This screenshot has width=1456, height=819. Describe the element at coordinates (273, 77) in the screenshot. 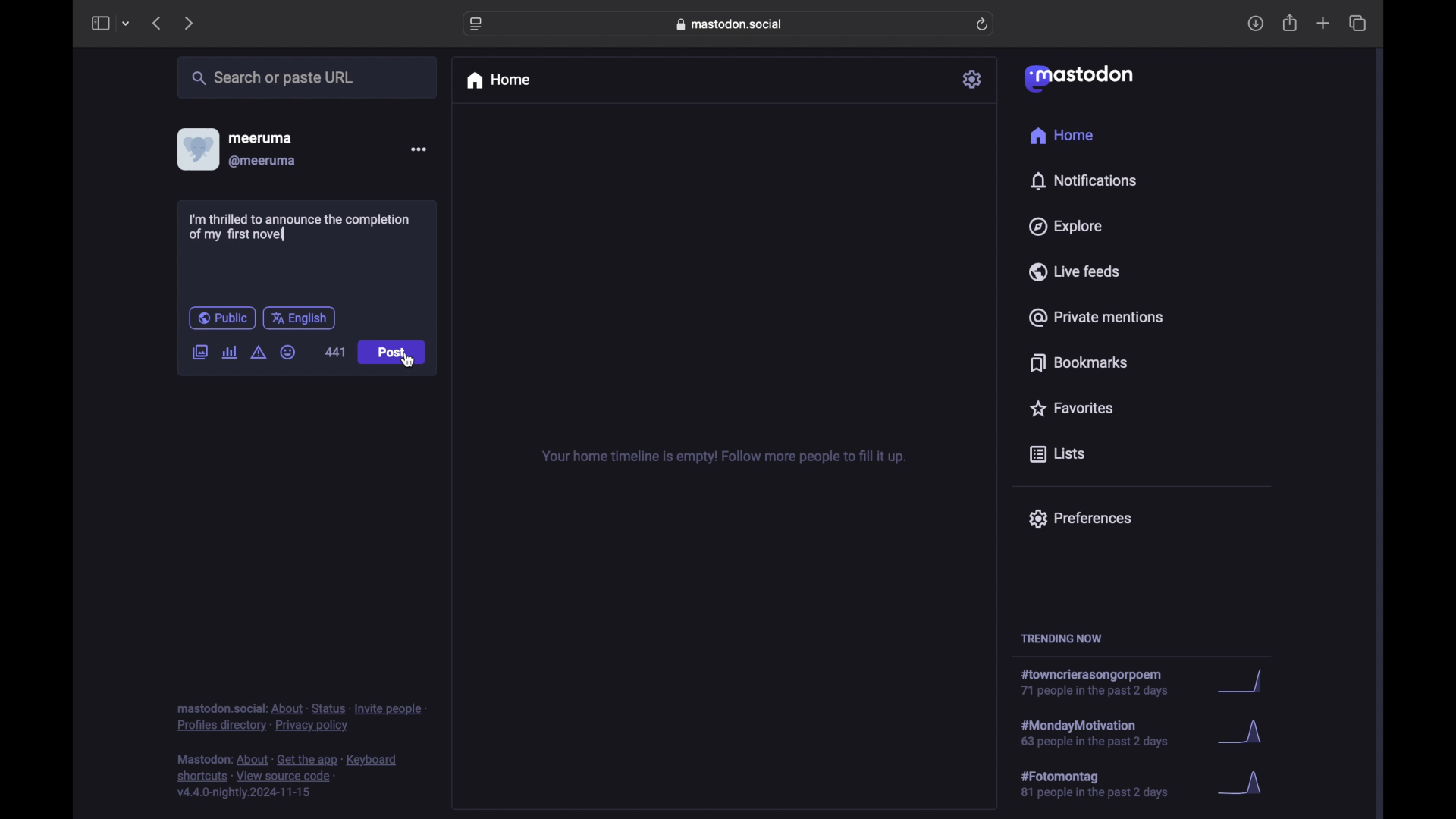

I see `share or paste url` at that location.